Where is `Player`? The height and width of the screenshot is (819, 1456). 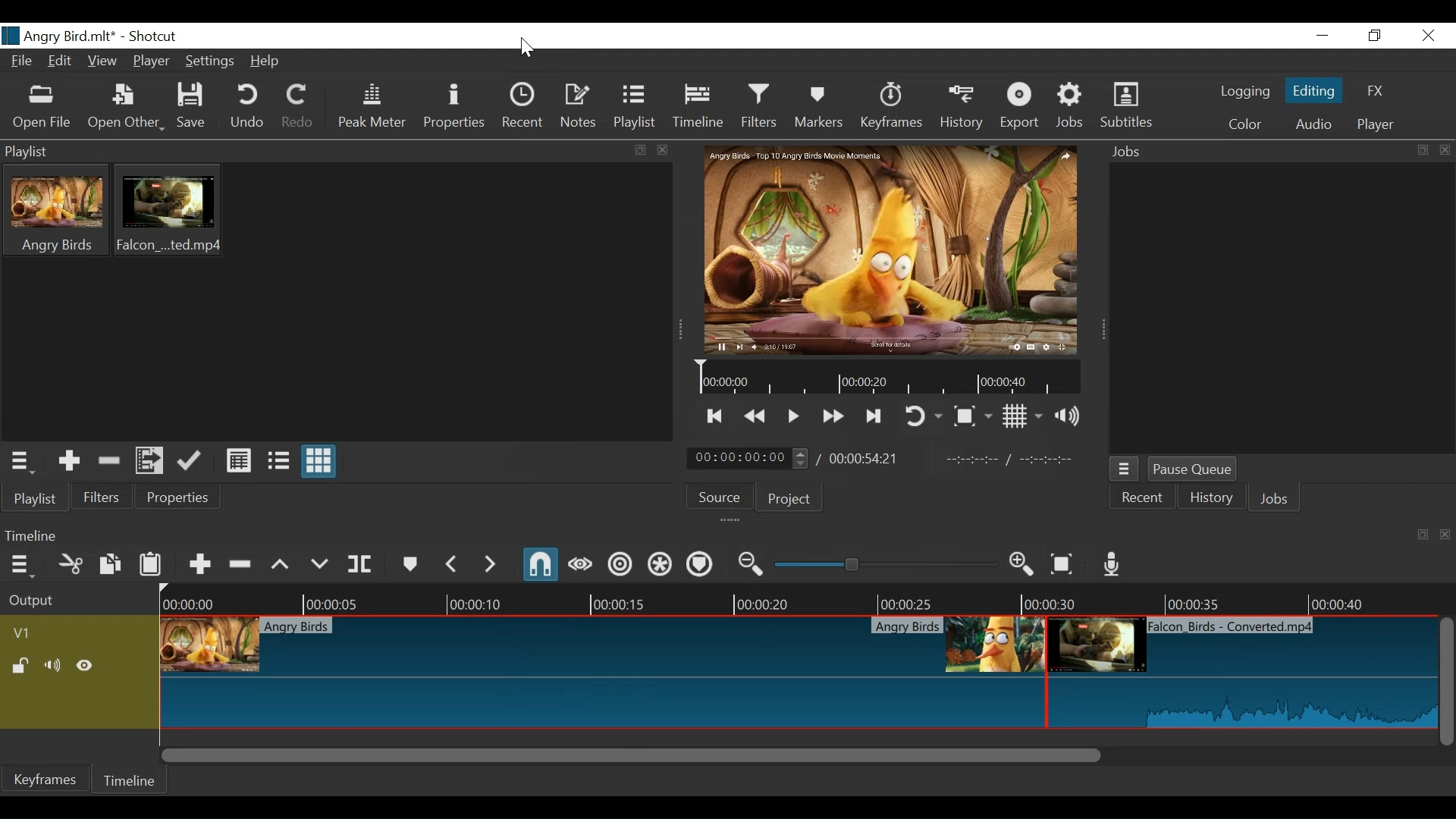
Player is located at coordinates (152, 62).